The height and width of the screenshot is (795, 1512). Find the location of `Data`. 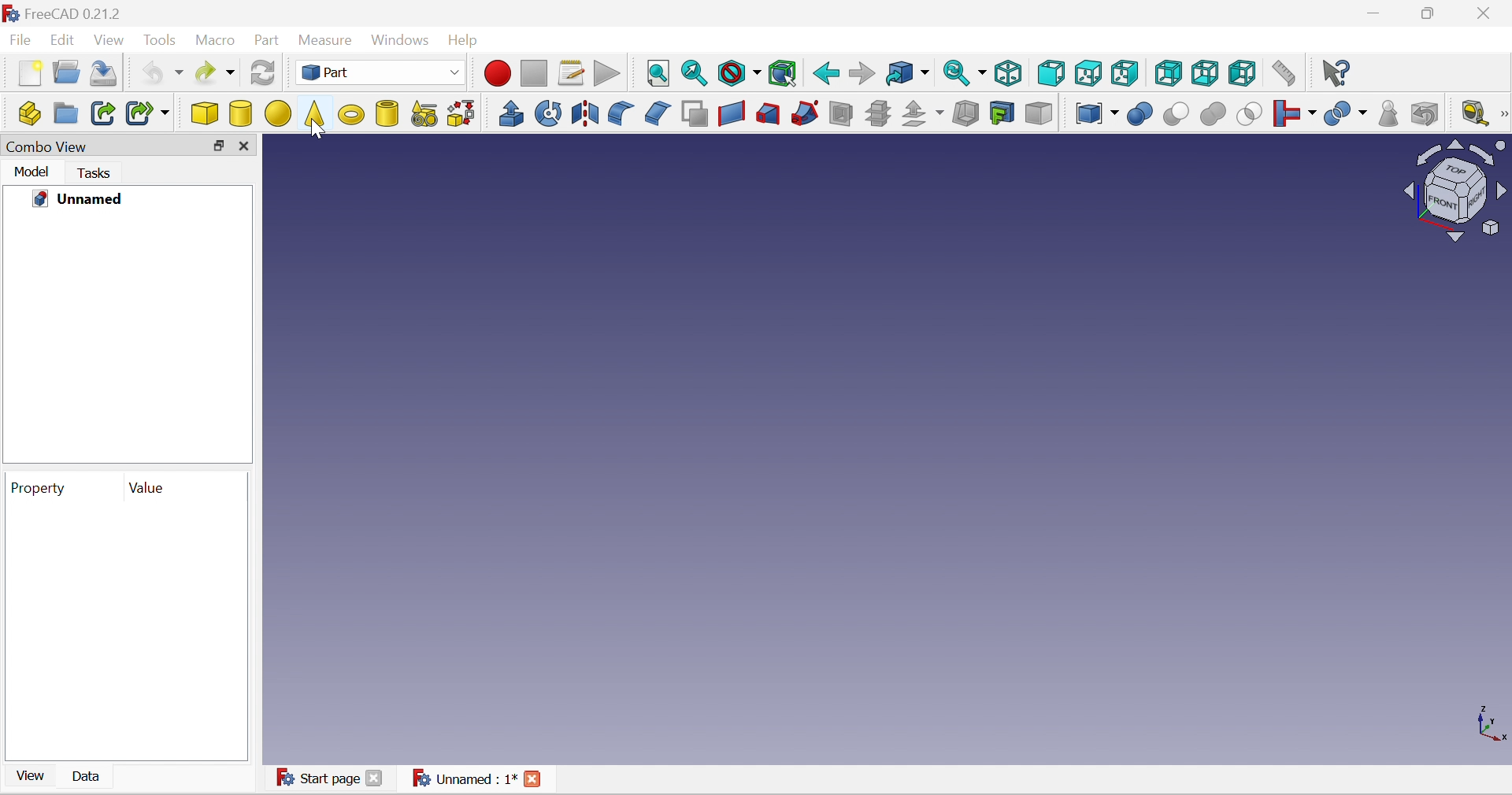

Data is located at coordinates (85, 775).